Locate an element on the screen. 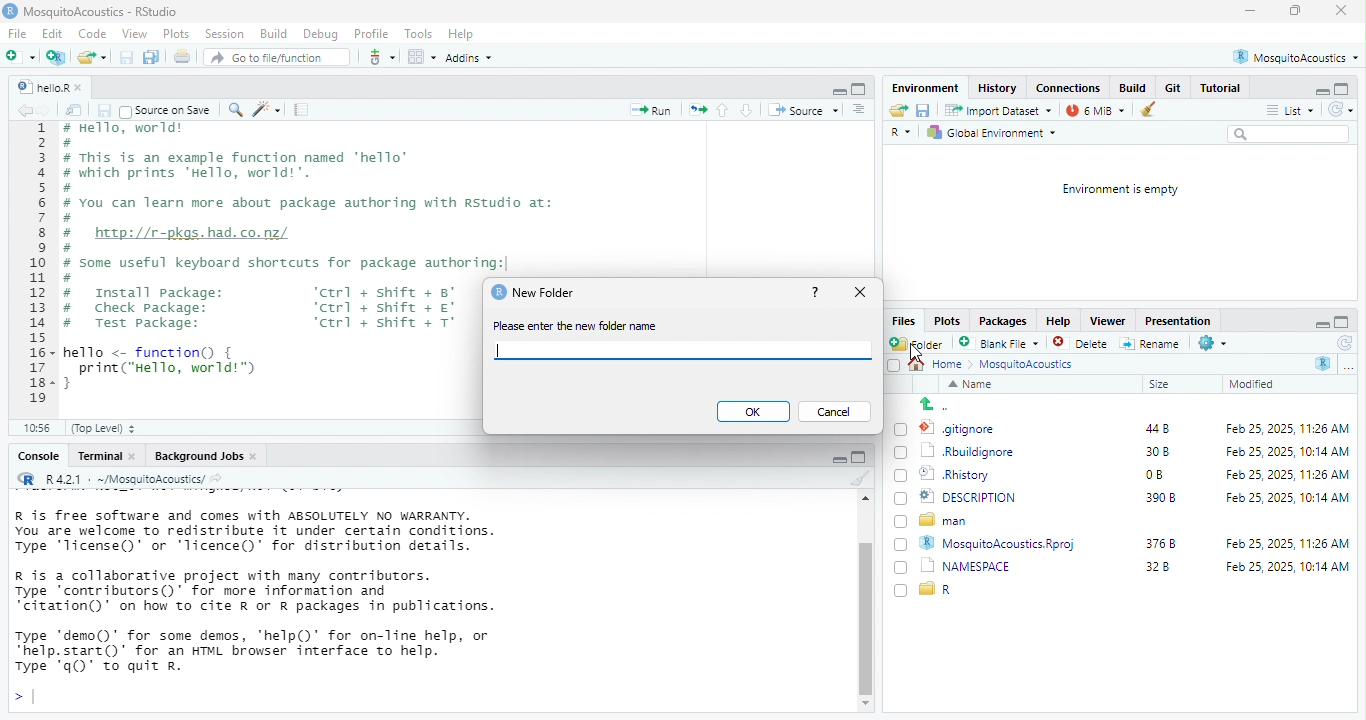  go forward to the next source location is located at coordinates (51, 111).